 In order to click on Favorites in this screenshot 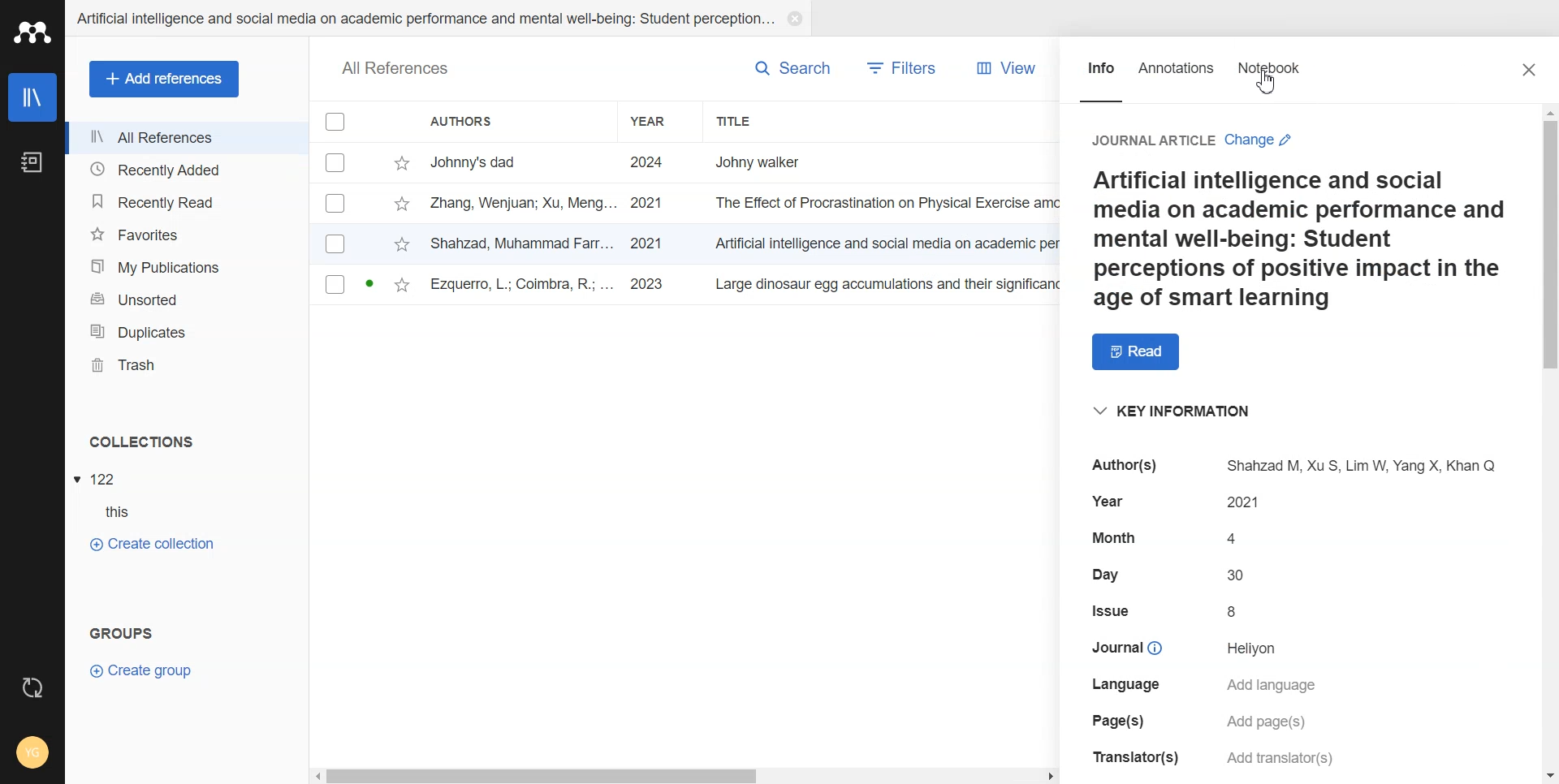, I will do `click(186, 235)`.